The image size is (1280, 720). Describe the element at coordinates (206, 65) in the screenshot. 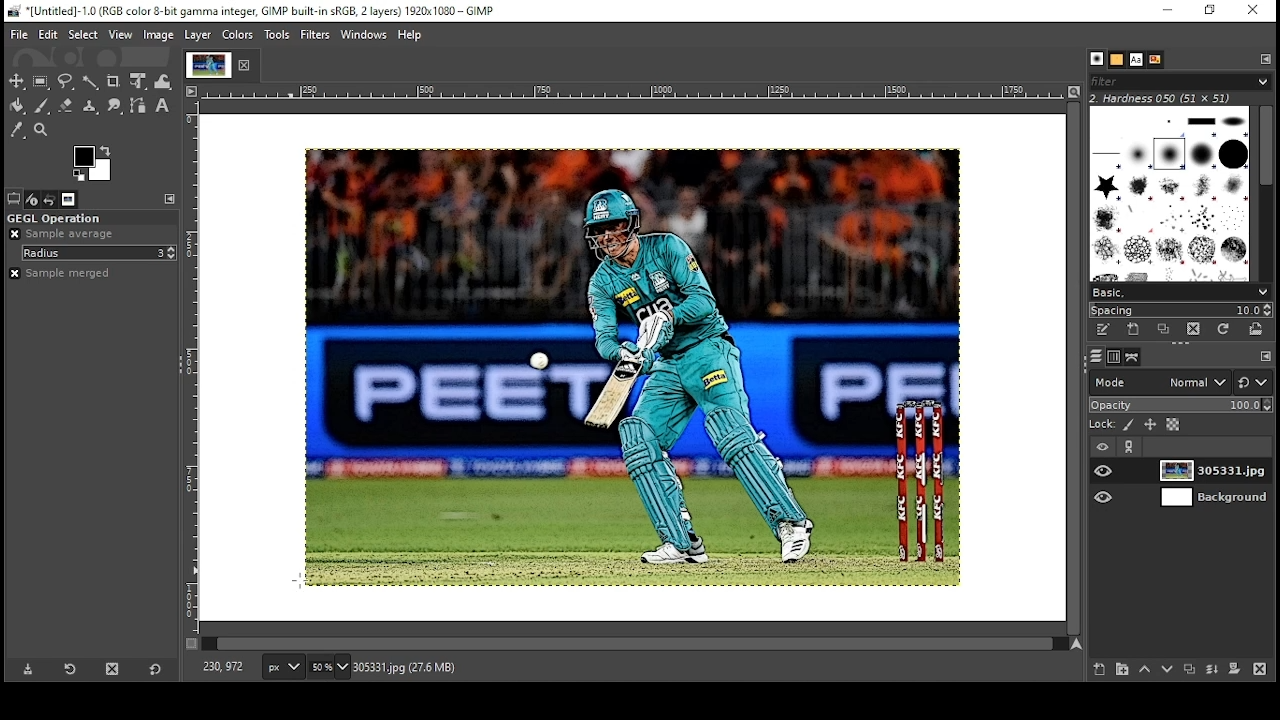

I see `tab` at that location.